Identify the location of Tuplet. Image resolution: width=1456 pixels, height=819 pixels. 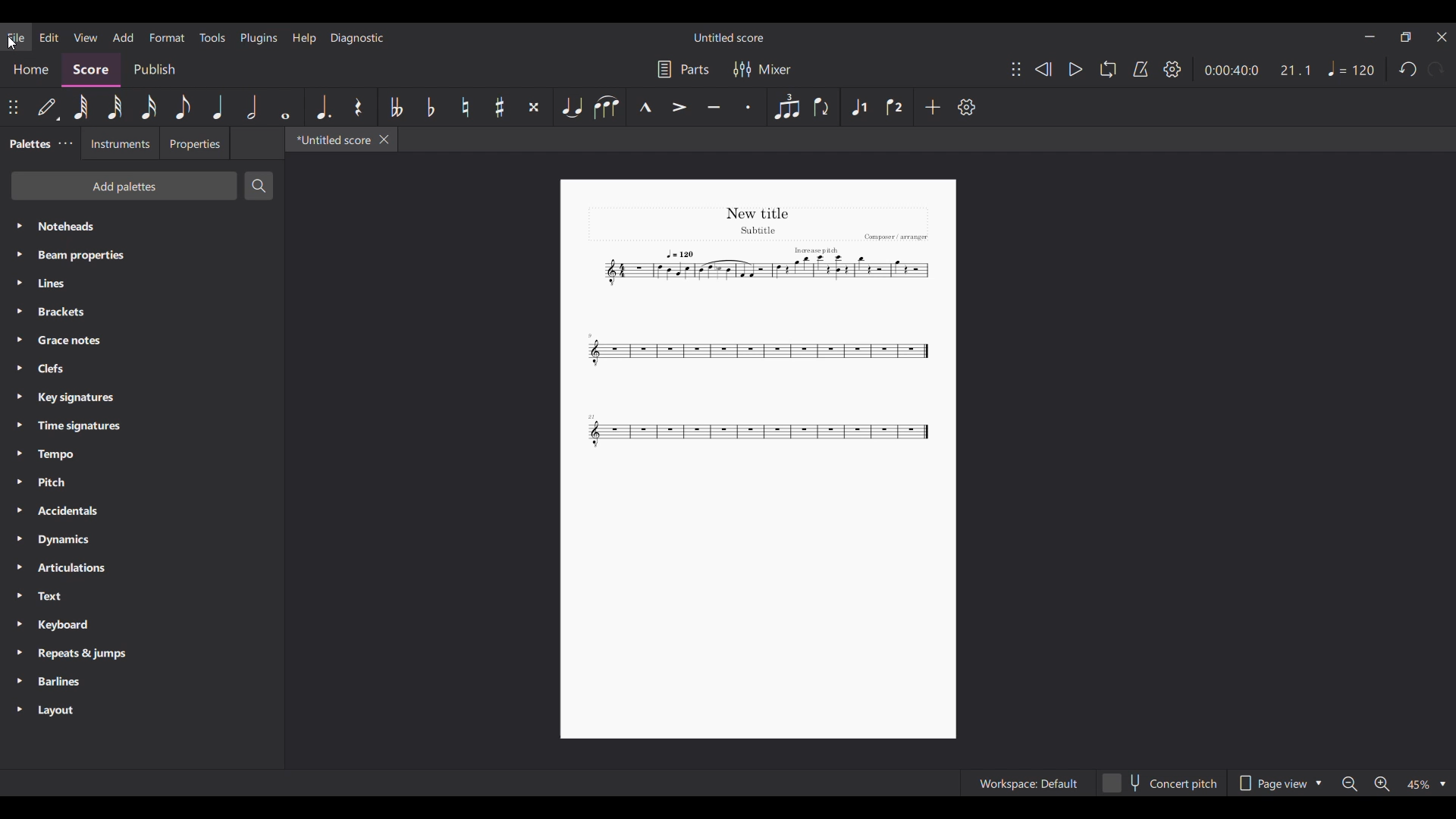
(786, 107).